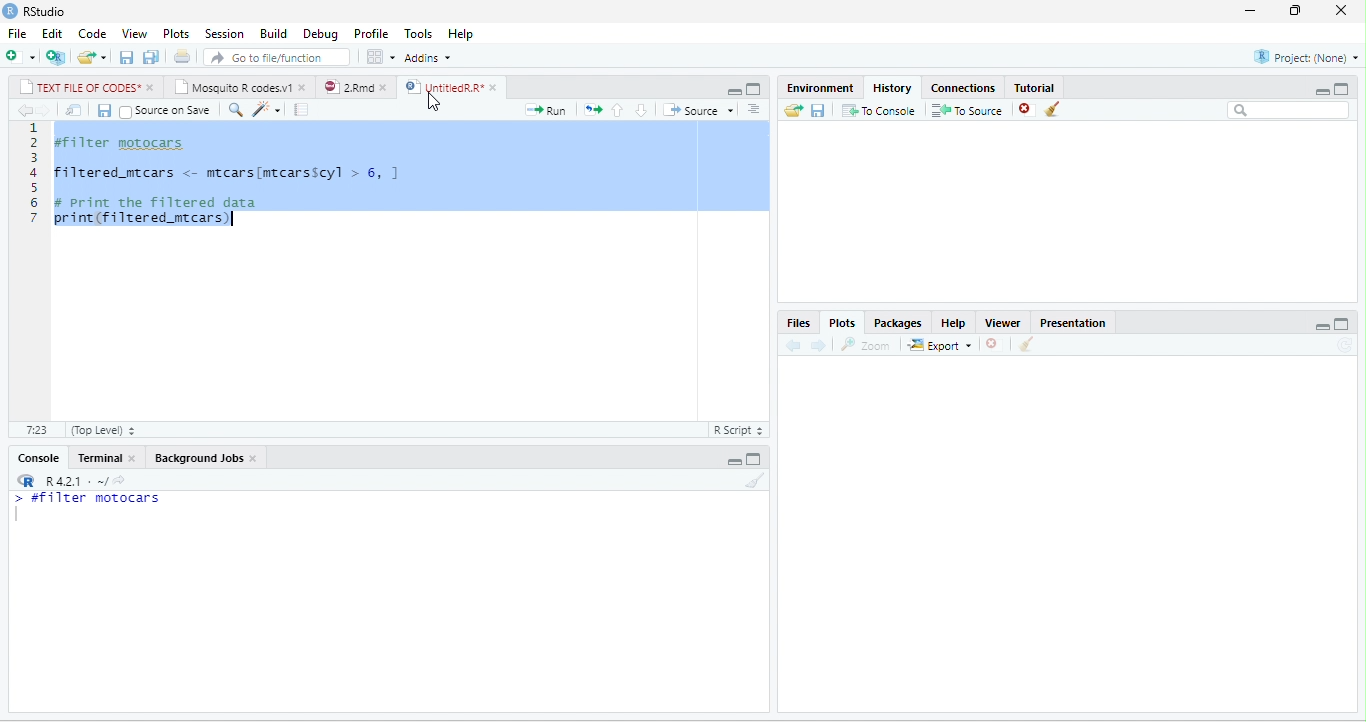 The image size is (1366, 722). Describe the element at coordinates (135, 33) in the screenshot. I see `View` at that location.